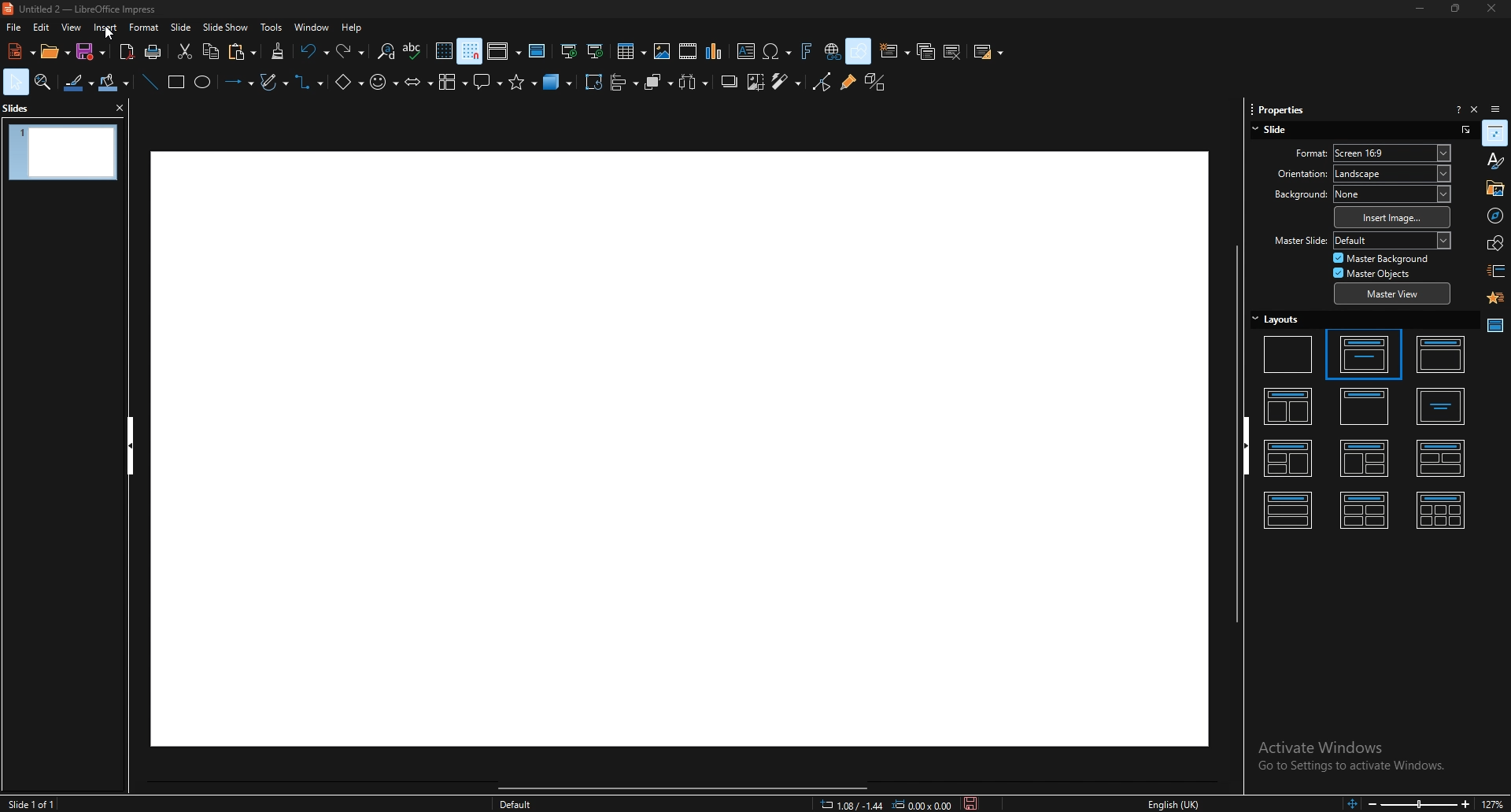 This screenshot has height=812, width=1511. What do you see at coordinates (1376, 273) in the screenshot?
I see `master objects` at bounding box center [1376, 273].